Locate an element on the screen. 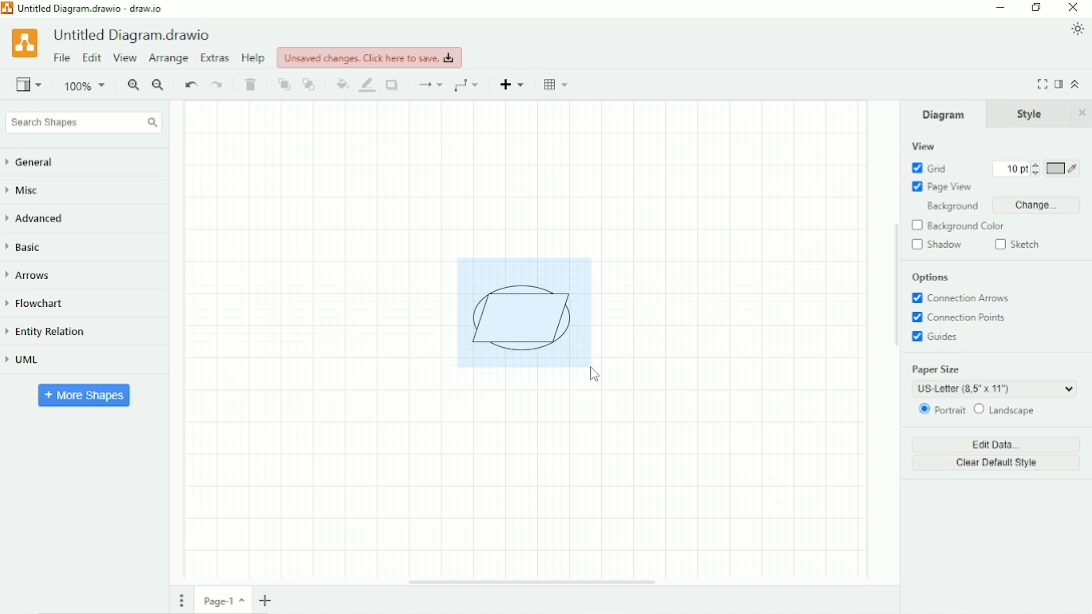  Shadow is located at coordinates (394, 85).